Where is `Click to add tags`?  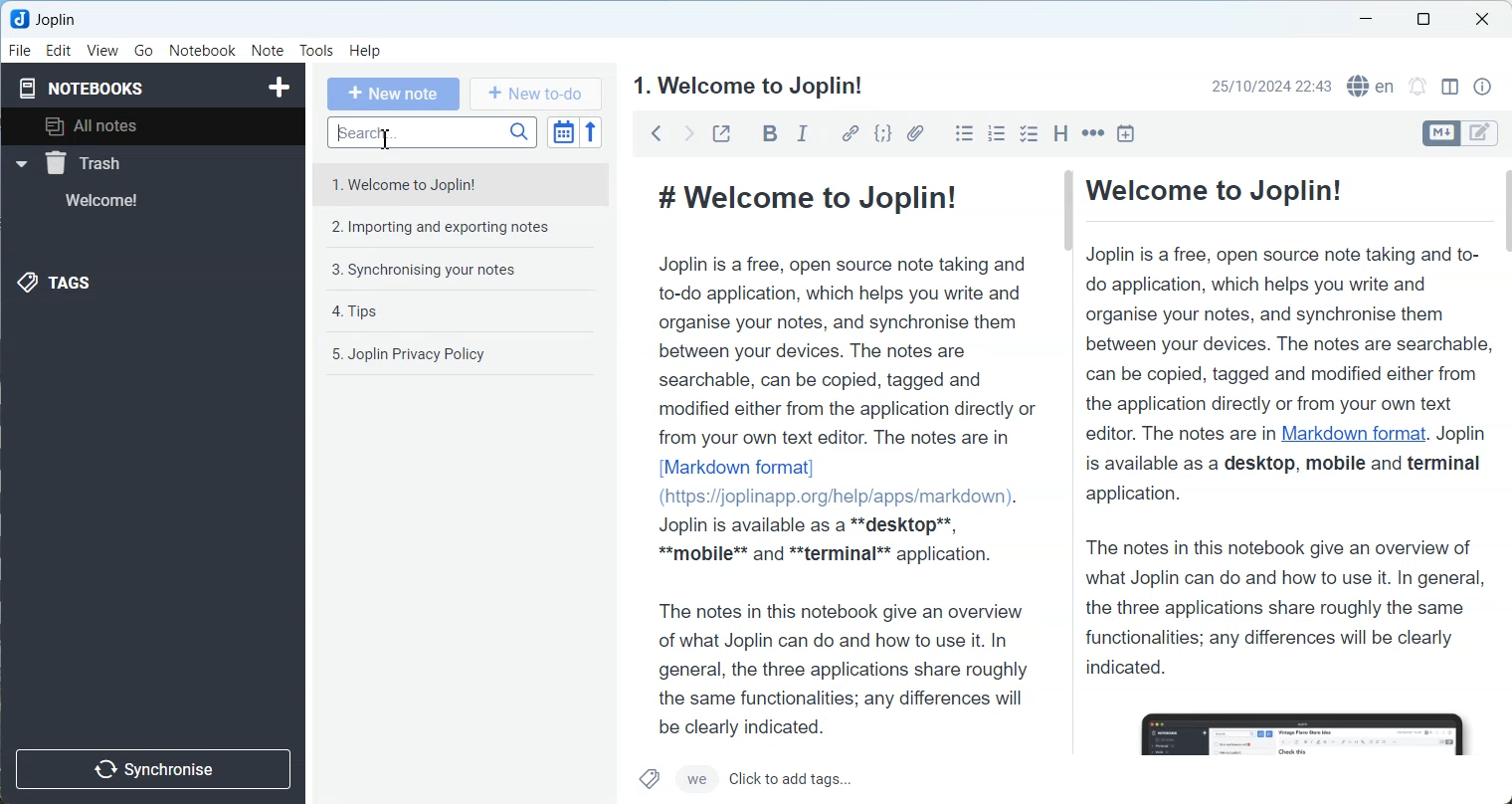
Click to add tags is located at coordinates (861, 778).